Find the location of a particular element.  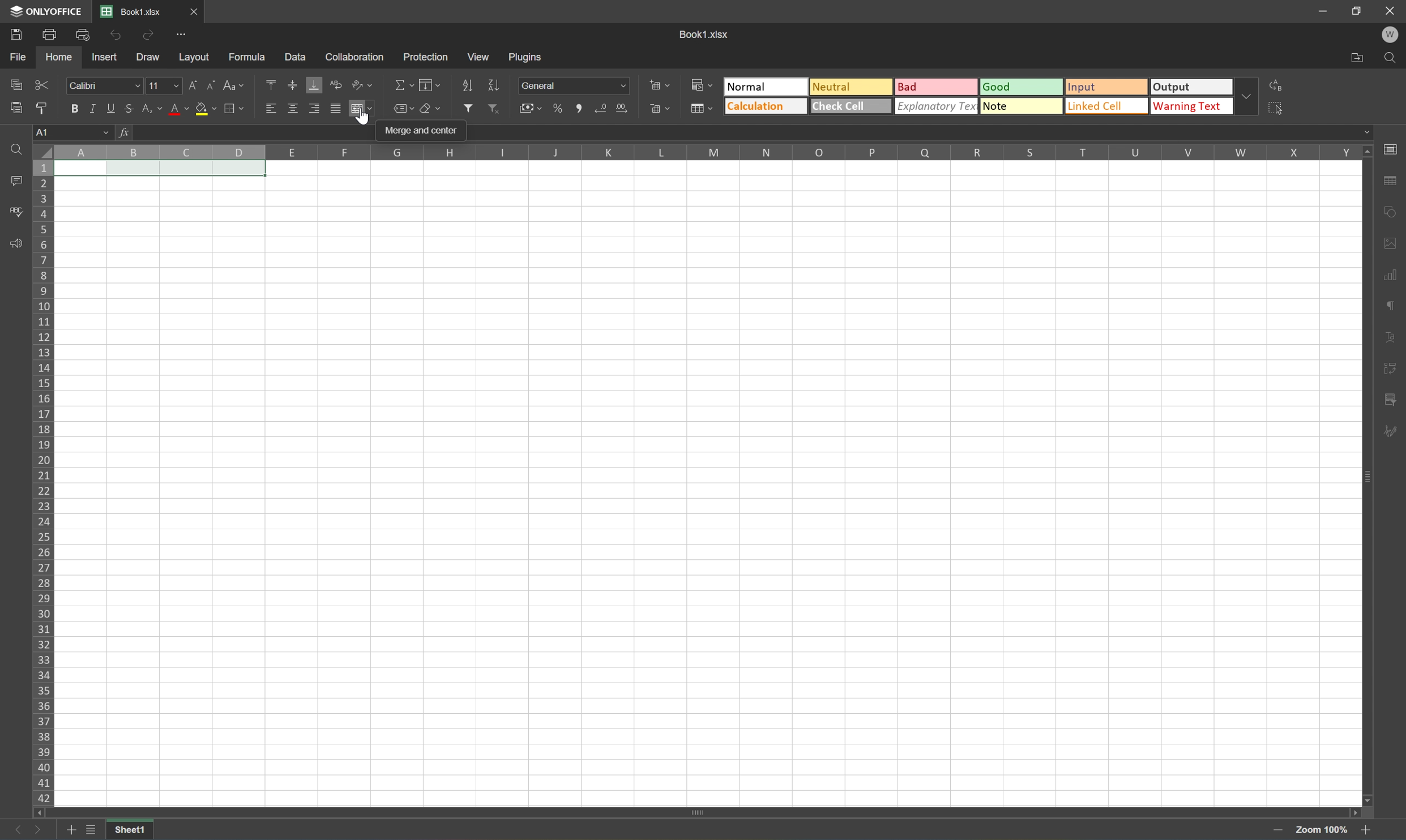

Scroll bar is located at coordinates (1364, 477).